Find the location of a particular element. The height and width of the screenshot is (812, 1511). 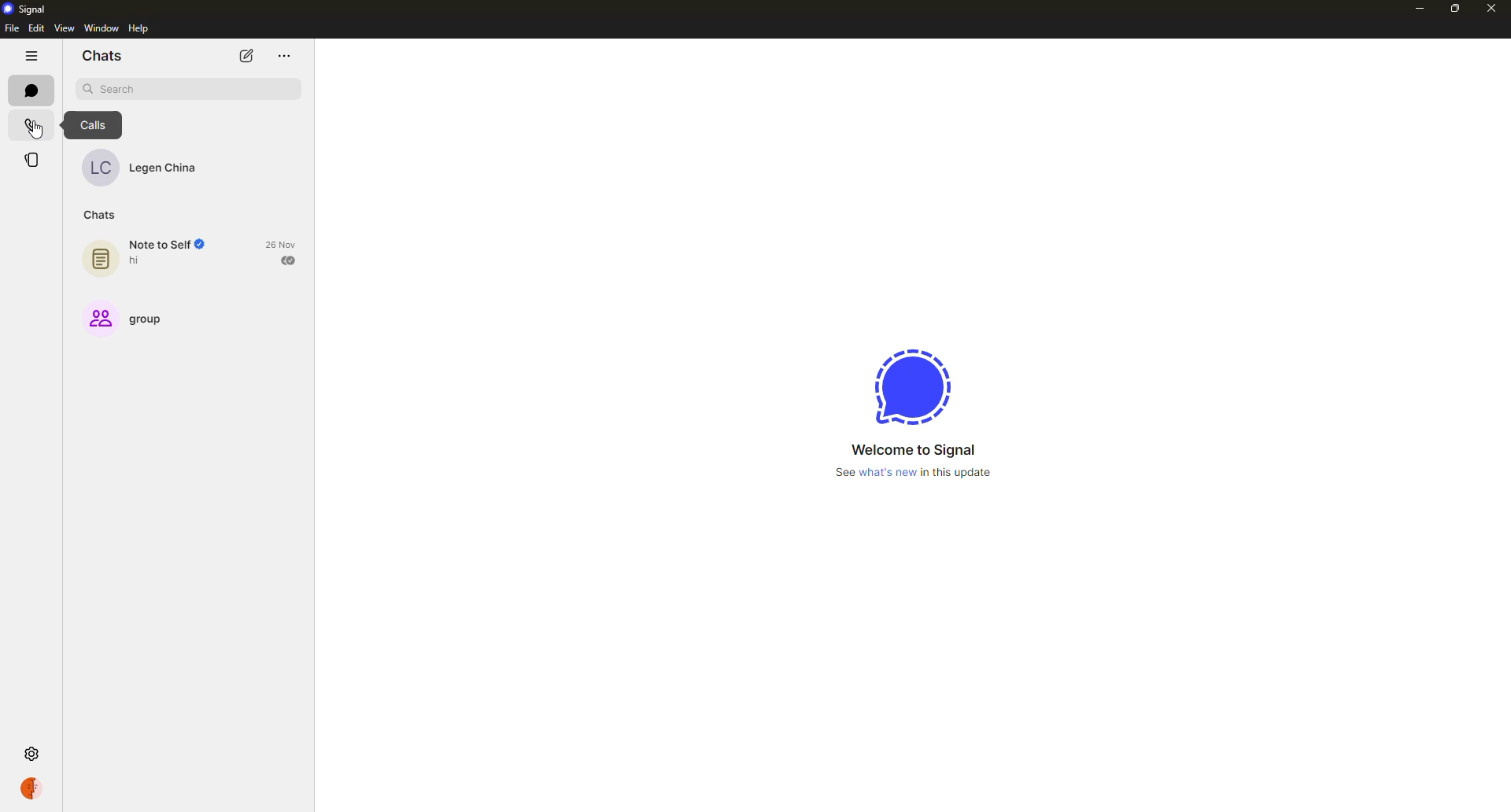

more is located at coordinates (284, 54).